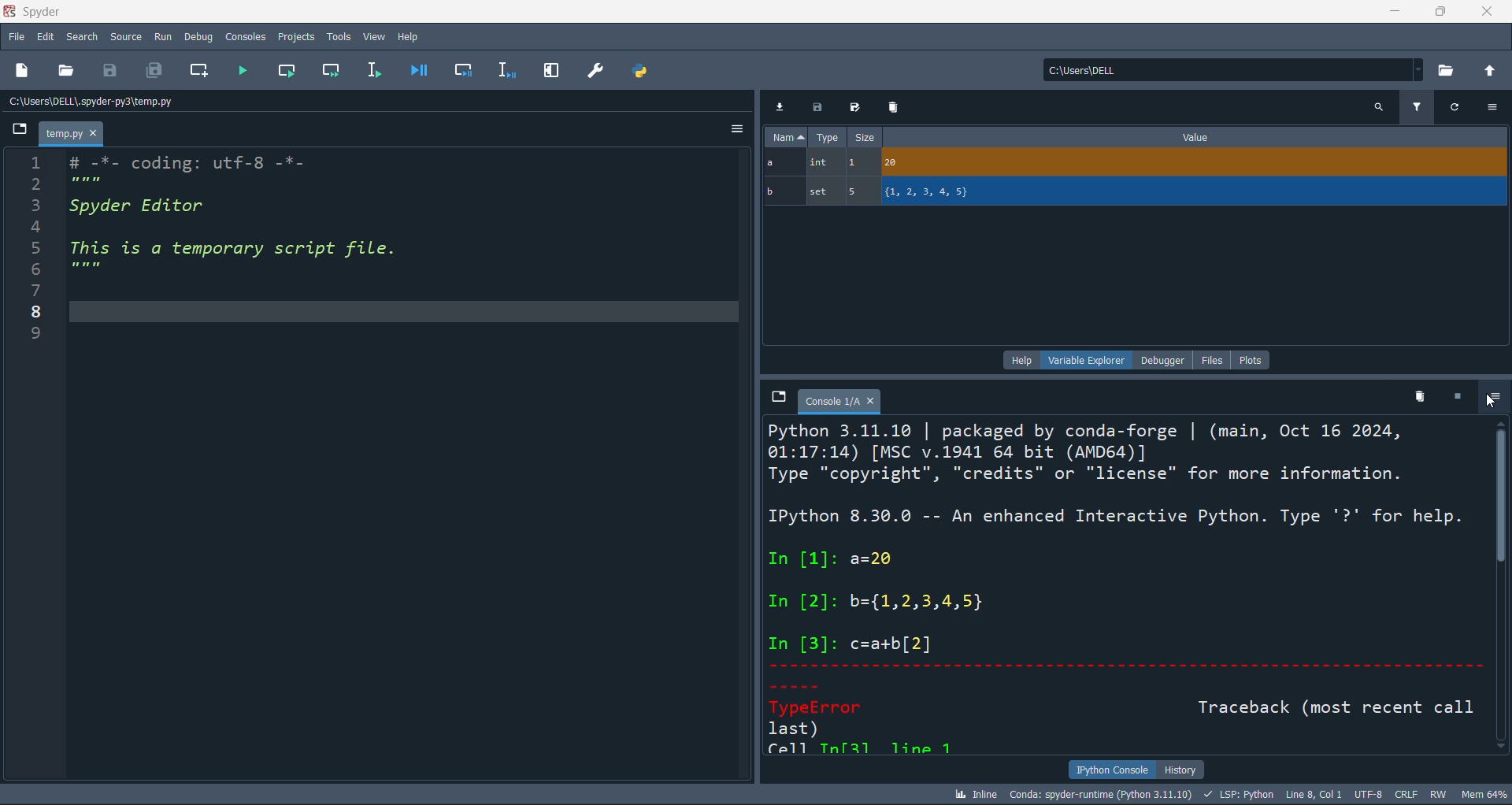  I want to click on delete, so click(1417, 395).